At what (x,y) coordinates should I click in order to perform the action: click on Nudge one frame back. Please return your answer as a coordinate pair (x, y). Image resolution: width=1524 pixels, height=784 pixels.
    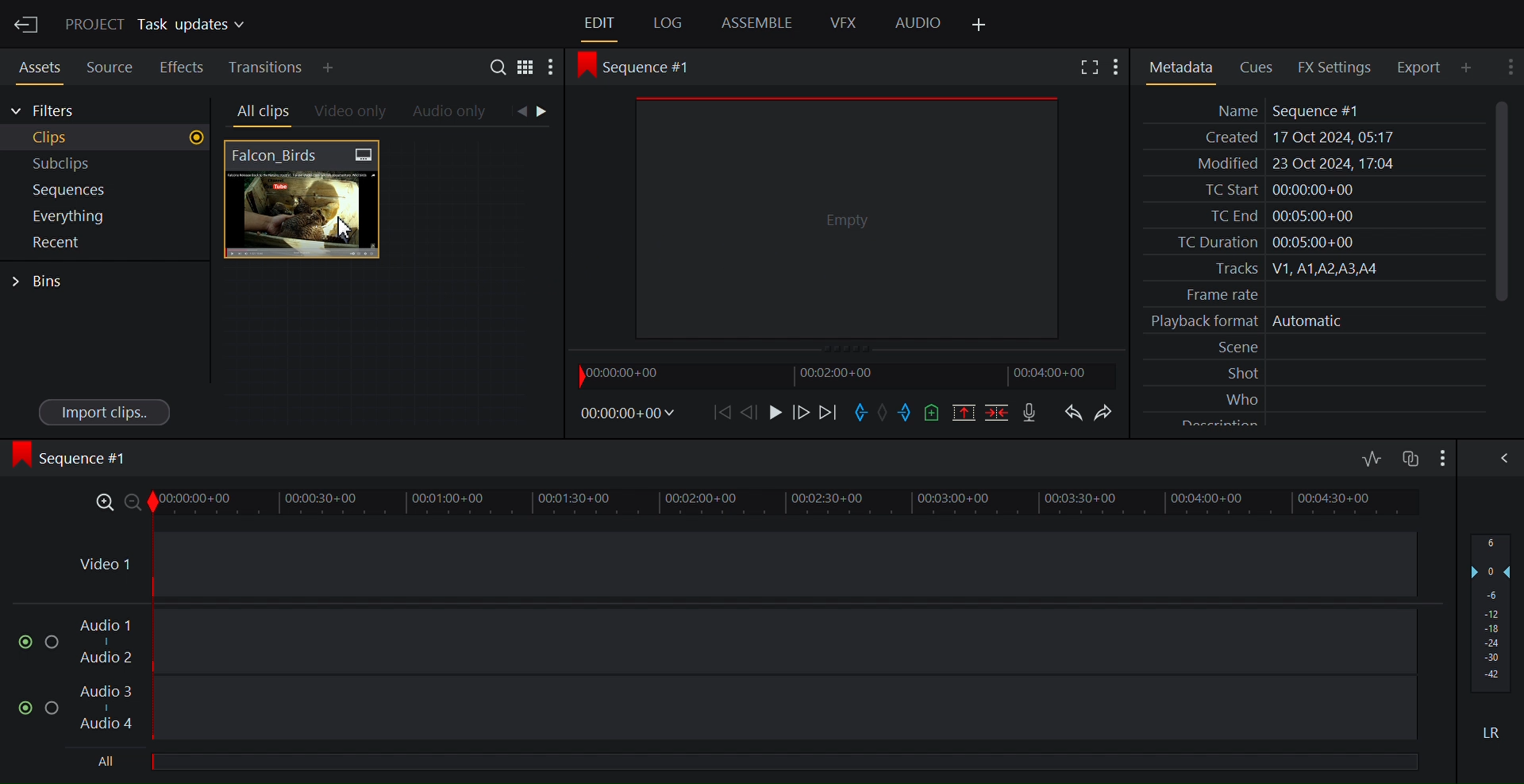
    Looking at the image, I should click on (802, 414).